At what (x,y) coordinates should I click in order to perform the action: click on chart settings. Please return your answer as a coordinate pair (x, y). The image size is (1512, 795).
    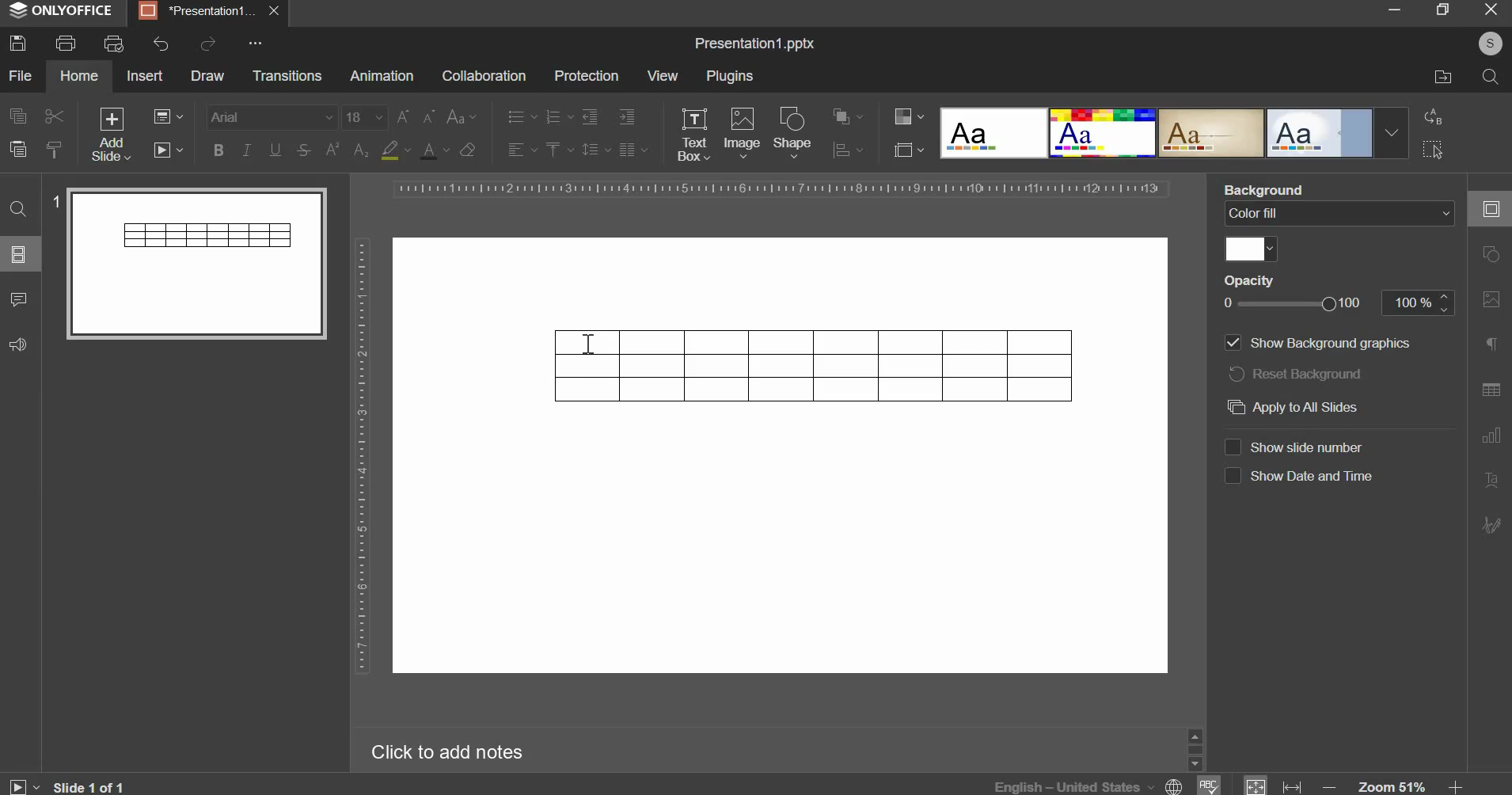
    Looking at the image, I should click on (848, 150).